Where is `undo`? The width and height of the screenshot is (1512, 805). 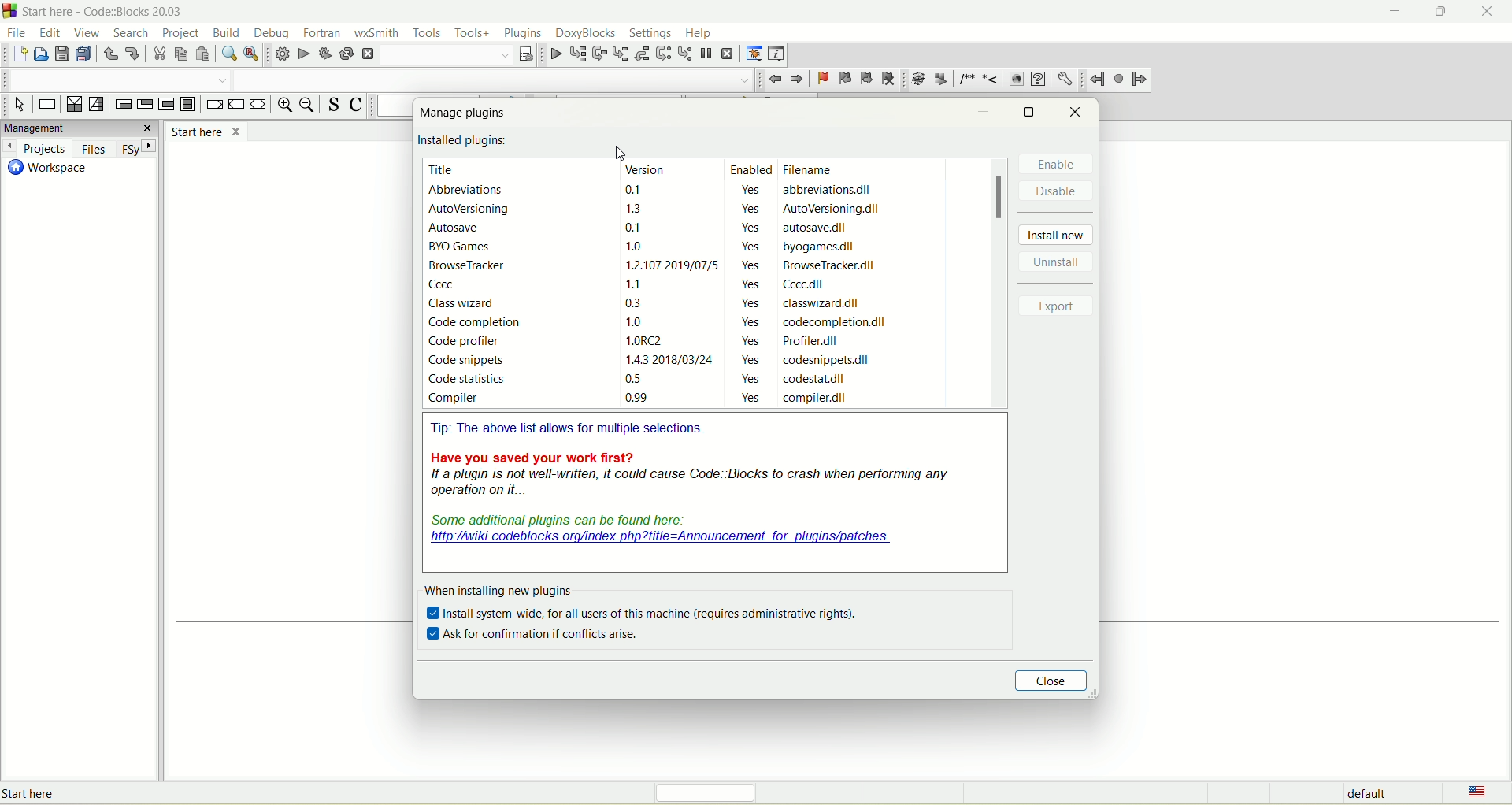 undo is located at coordinates (109, 54).